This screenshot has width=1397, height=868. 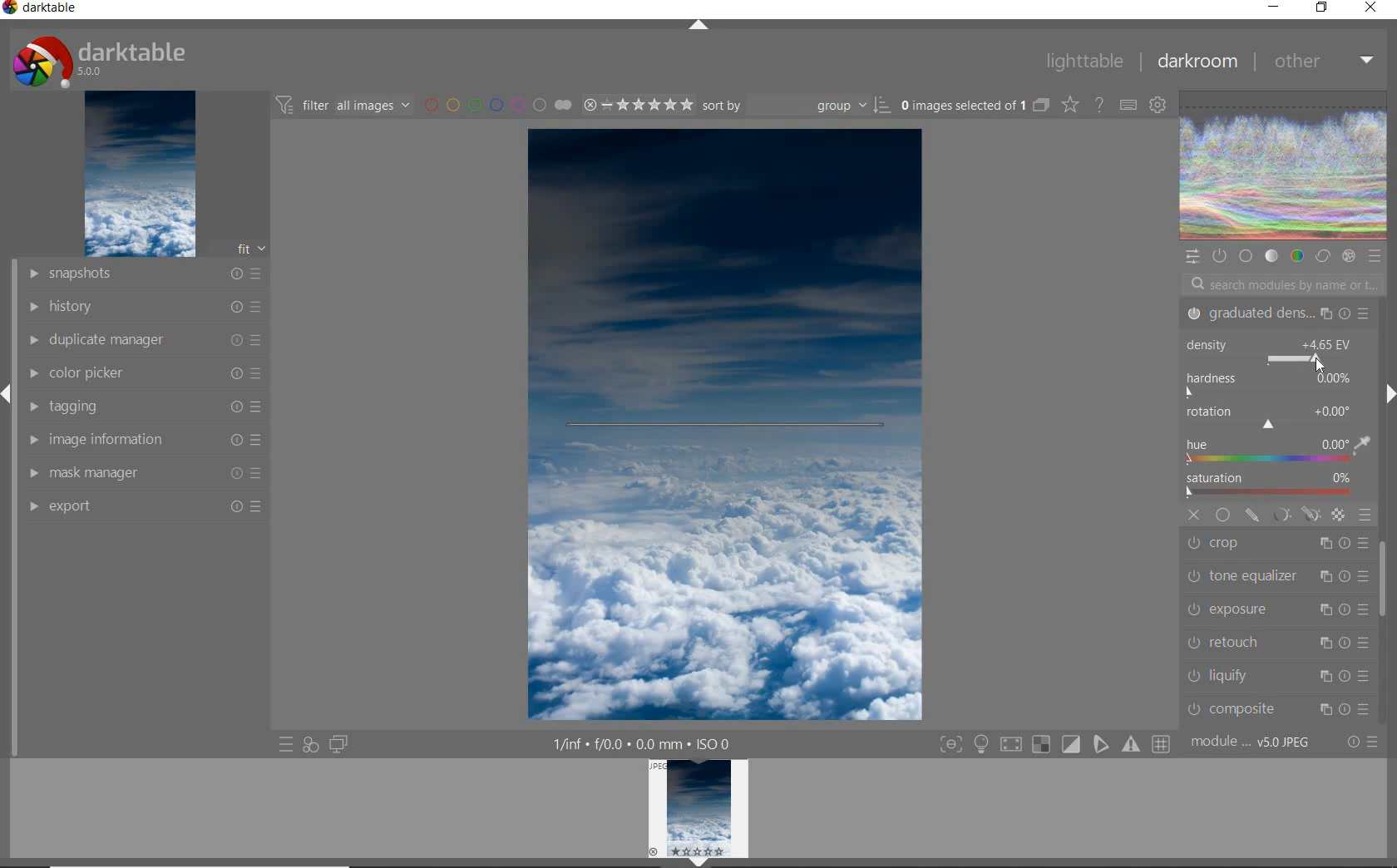 What do you see at coordinates (1371, 8) in the screenshot?
I see `CLOSE` at bounding box center [1371, 8].